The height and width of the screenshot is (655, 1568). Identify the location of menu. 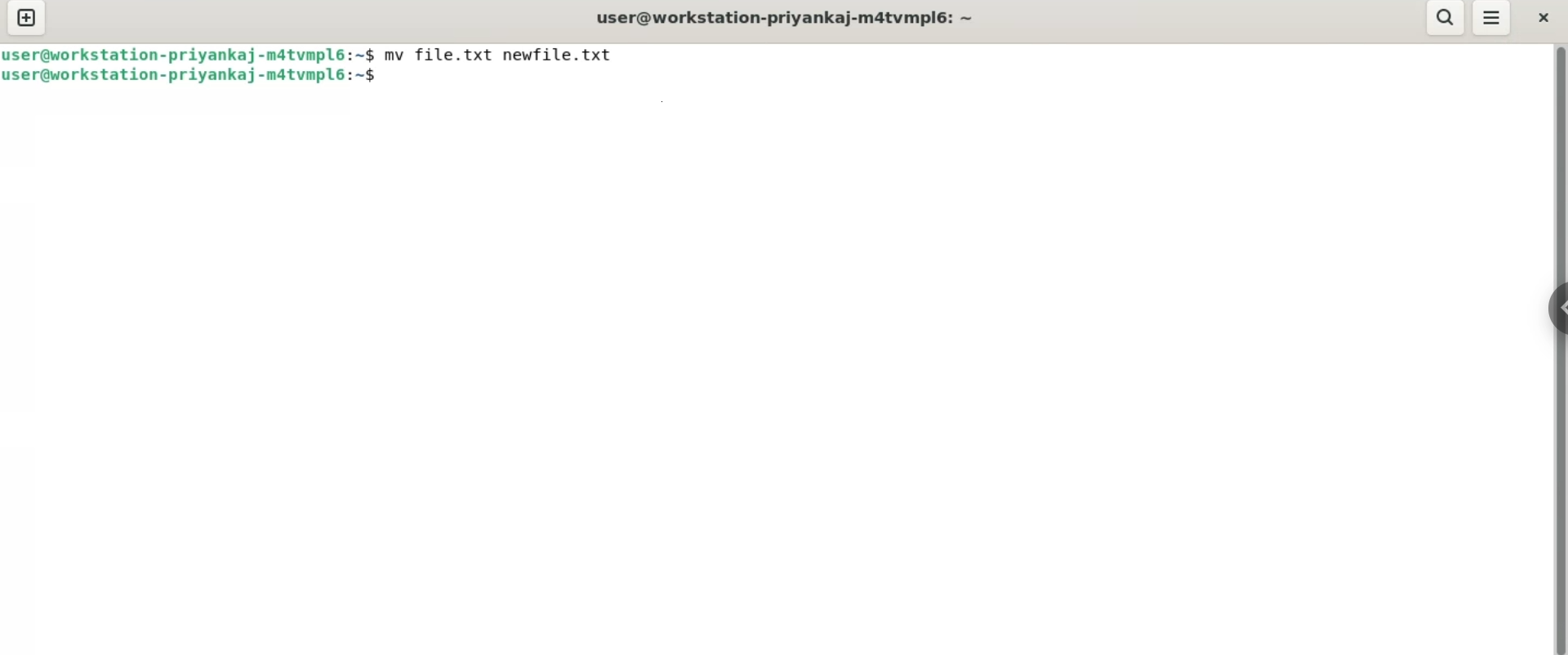
(1493, 20).